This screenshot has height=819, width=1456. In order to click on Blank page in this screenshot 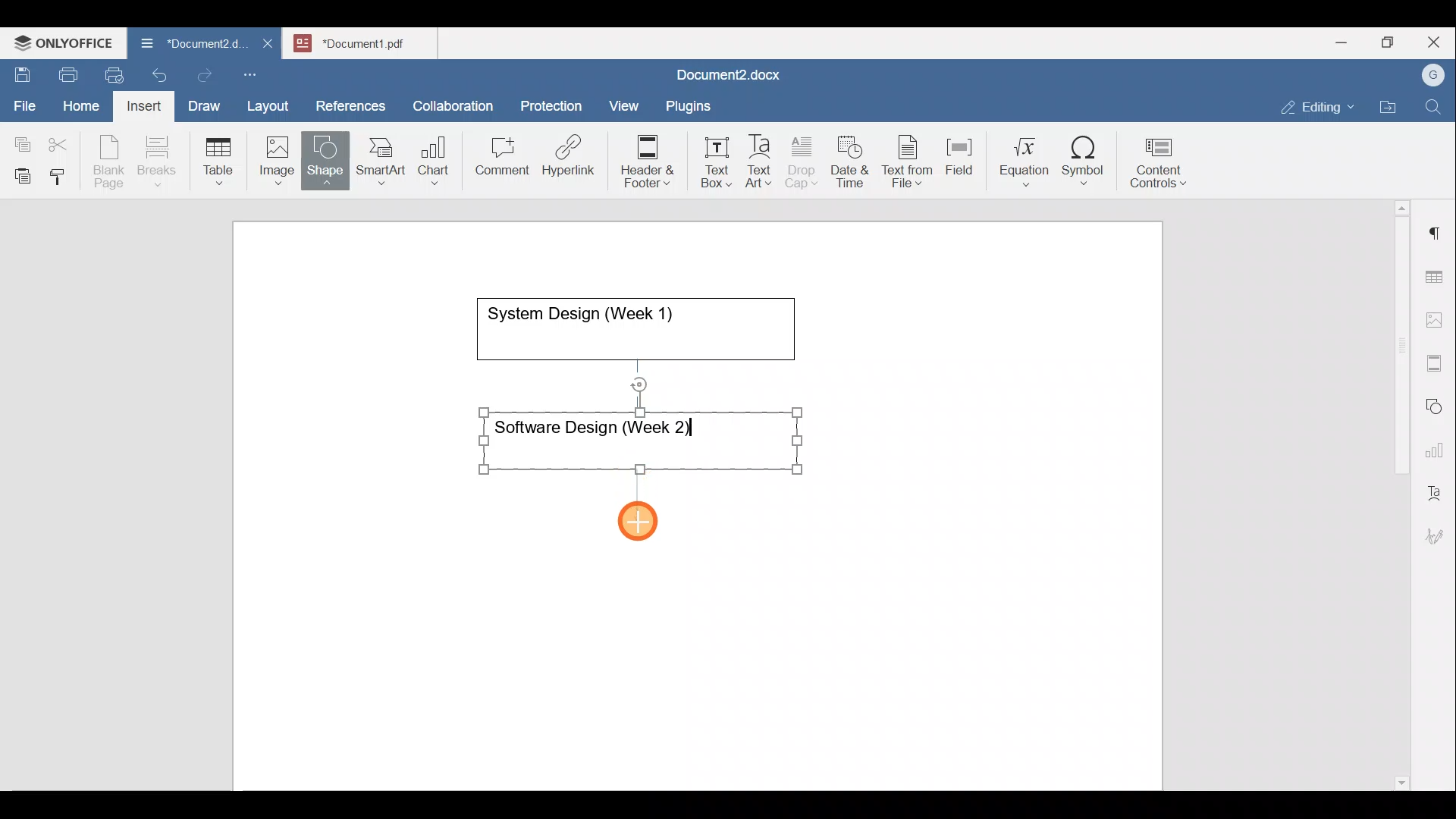, I will do `click(111, 162)`.